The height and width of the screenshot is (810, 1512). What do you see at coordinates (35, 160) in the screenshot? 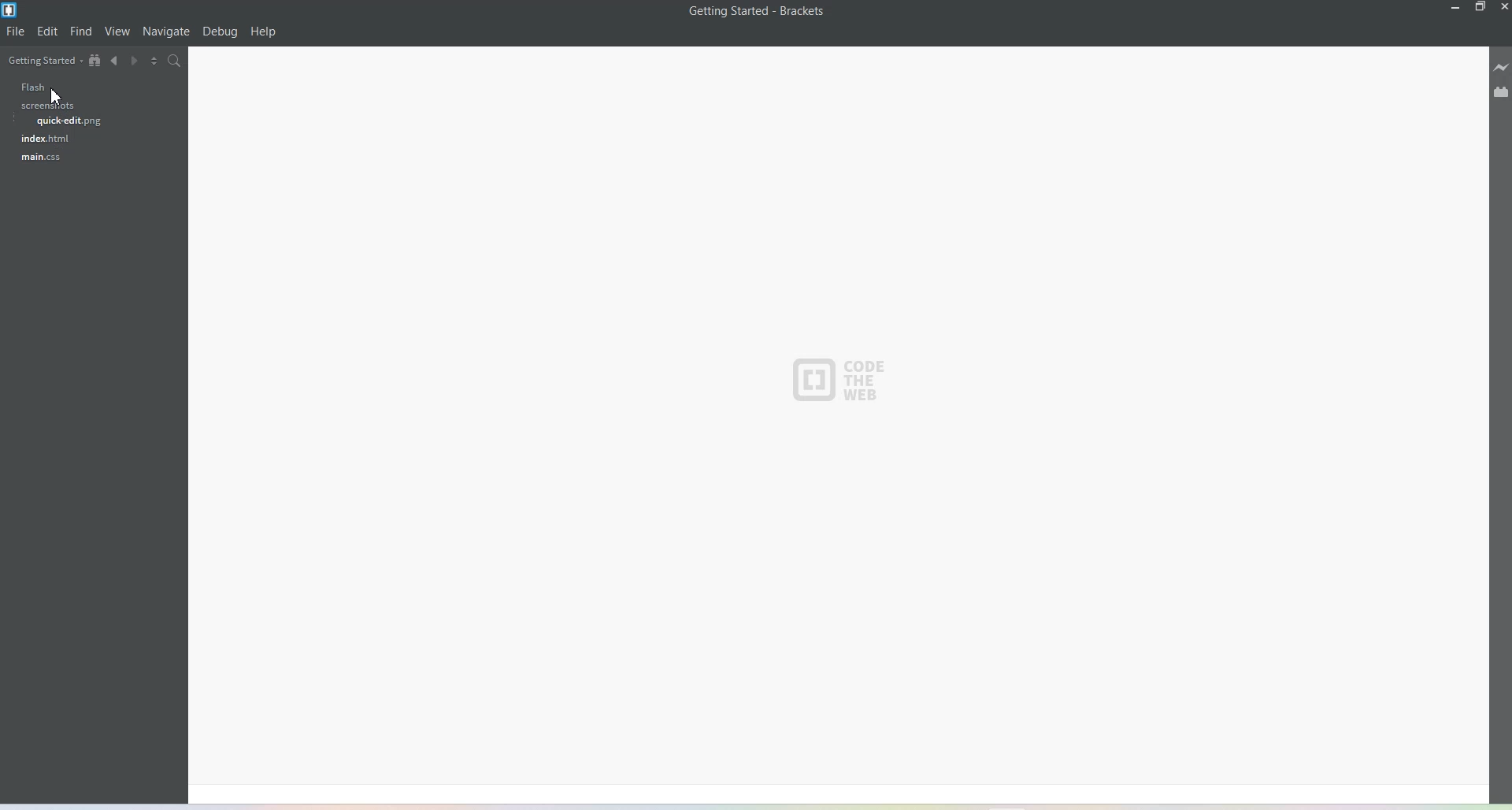
I see `main.css` at bounding box center [35, 160].